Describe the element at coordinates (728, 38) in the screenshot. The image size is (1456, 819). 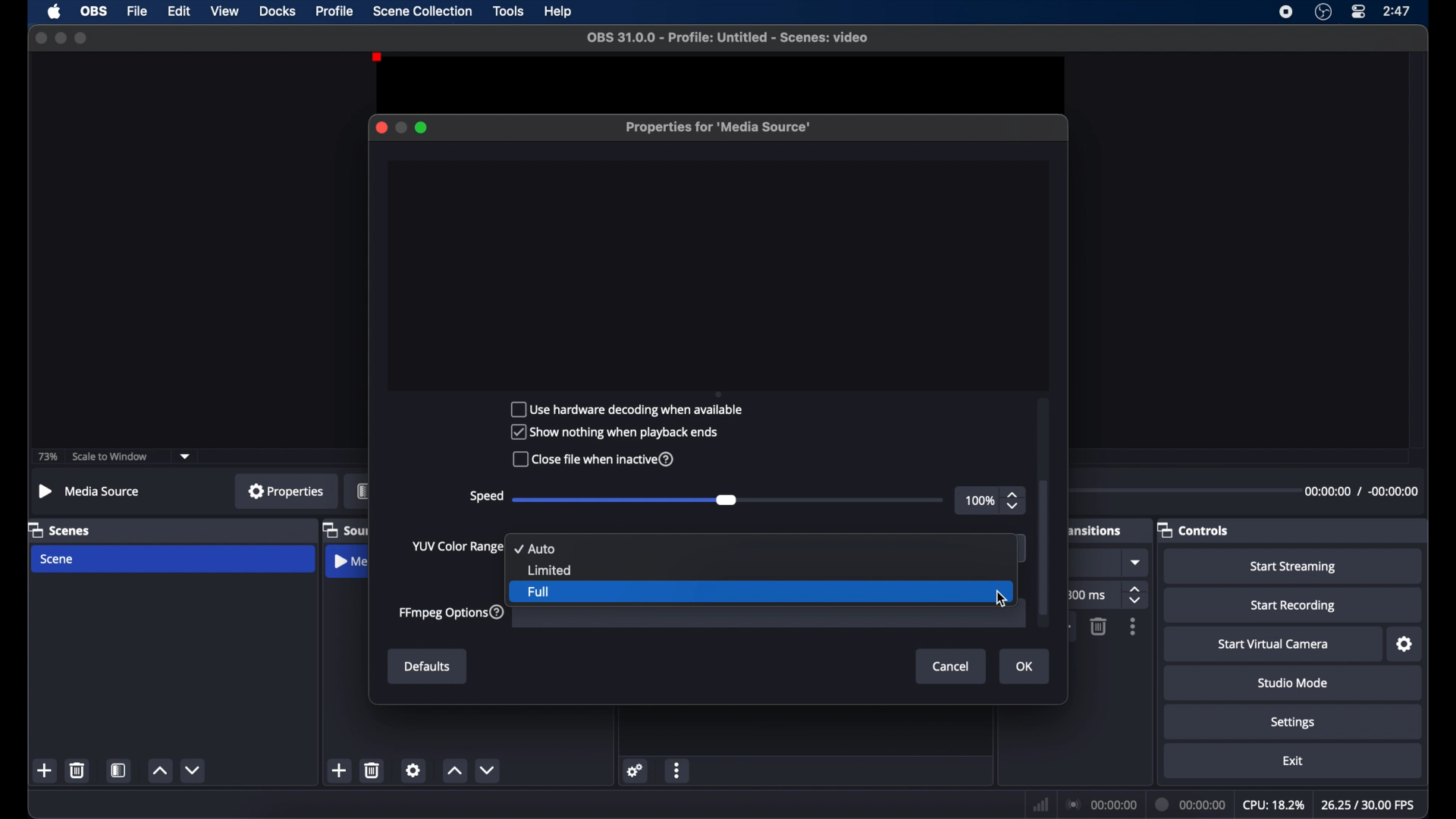
I see `file name` at that location.